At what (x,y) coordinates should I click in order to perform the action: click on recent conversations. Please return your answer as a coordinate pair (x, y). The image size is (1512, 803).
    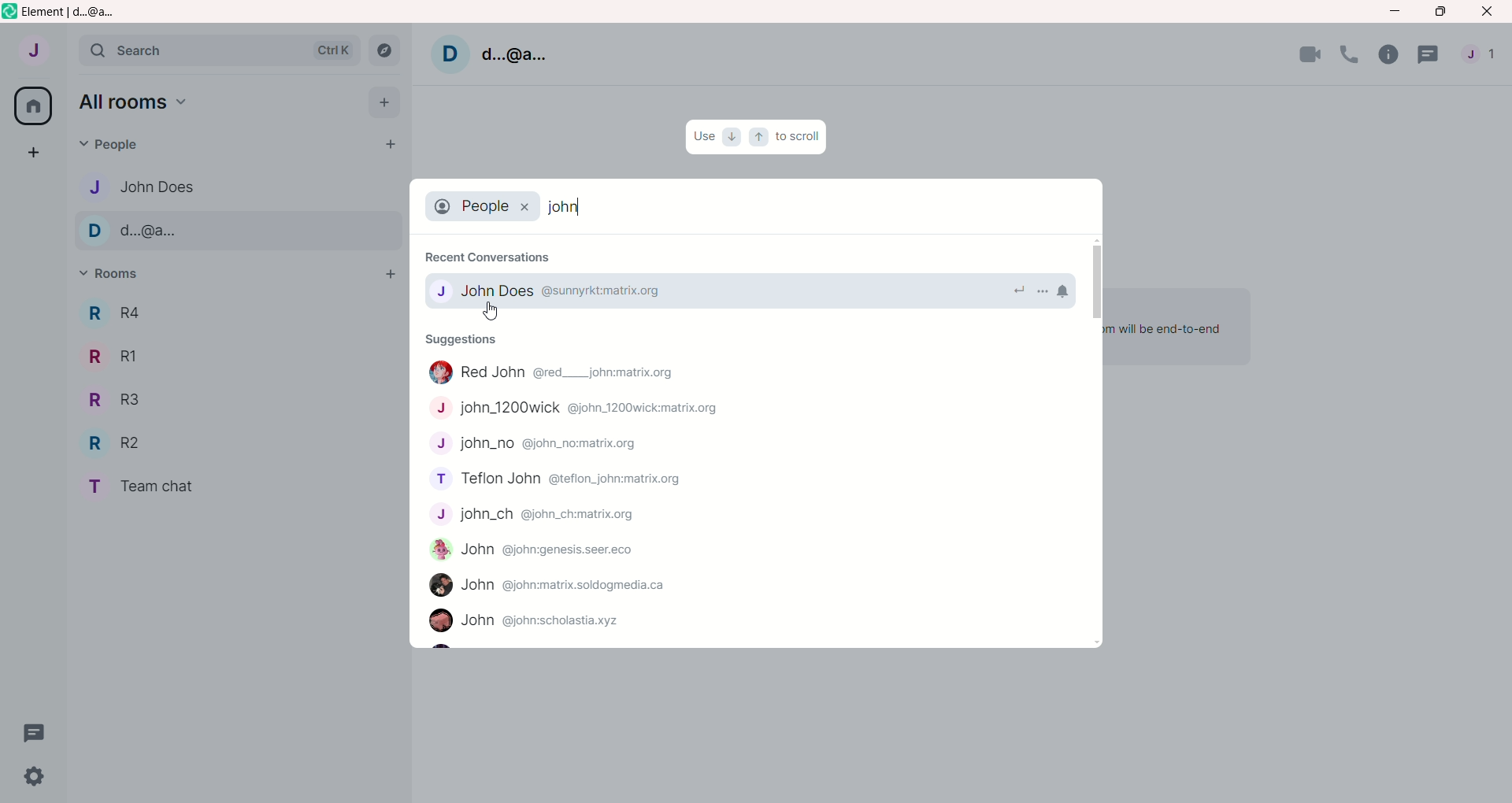
    Looking at the image, I should click on (491, 252).